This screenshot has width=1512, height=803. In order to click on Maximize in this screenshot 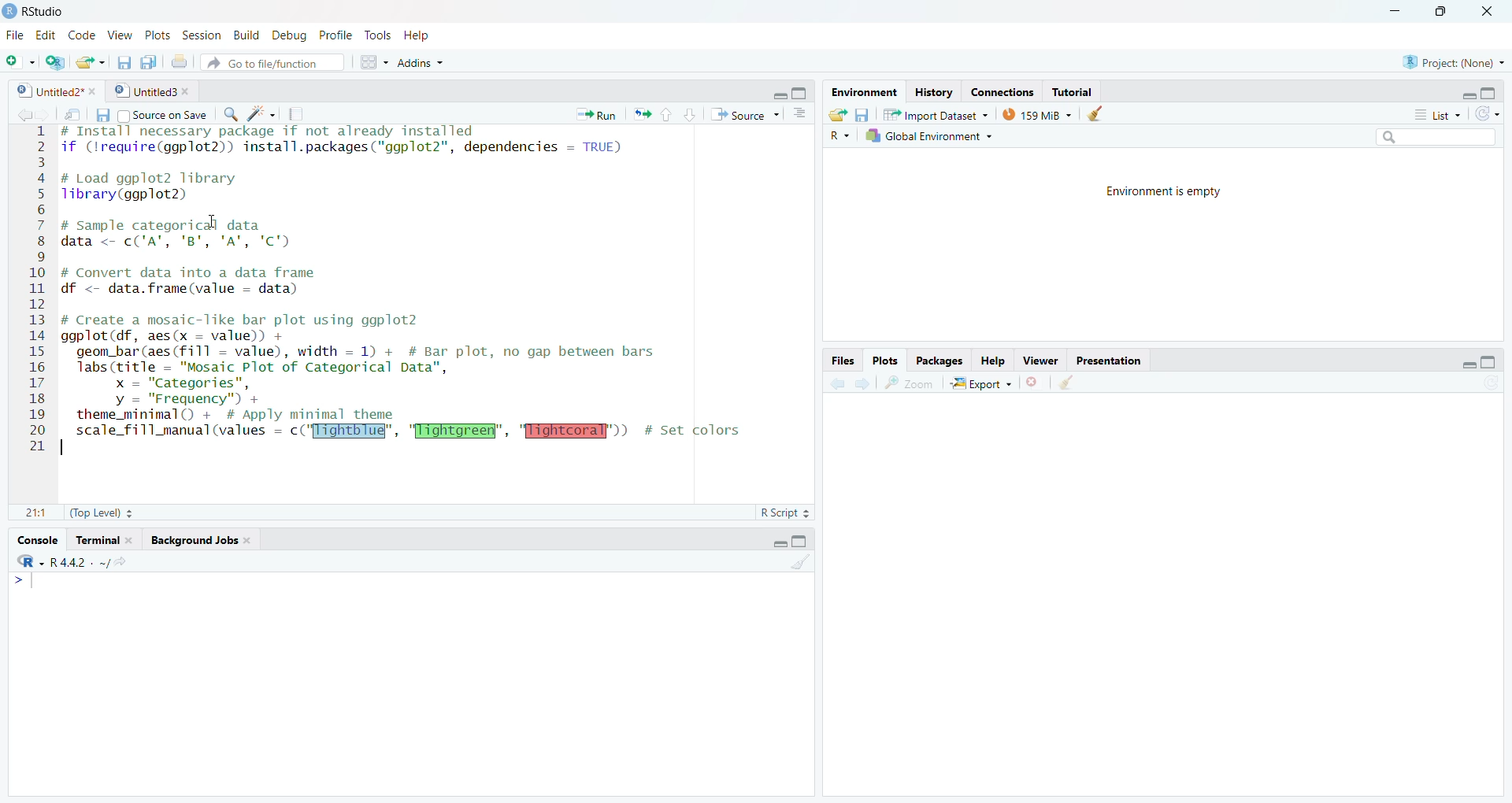, I will do `click(800, 92)`.